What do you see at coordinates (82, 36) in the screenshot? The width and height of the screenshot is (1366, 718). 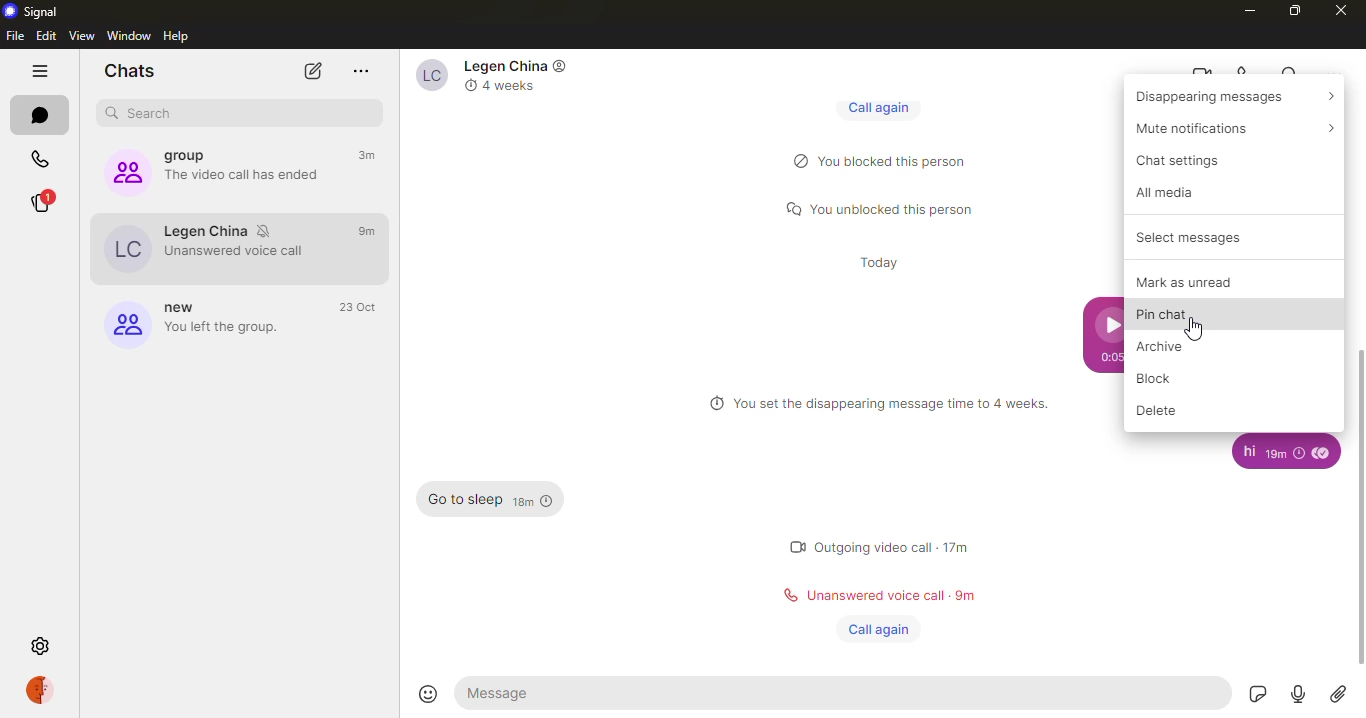 I see `view` at bounding box center [82, 36].